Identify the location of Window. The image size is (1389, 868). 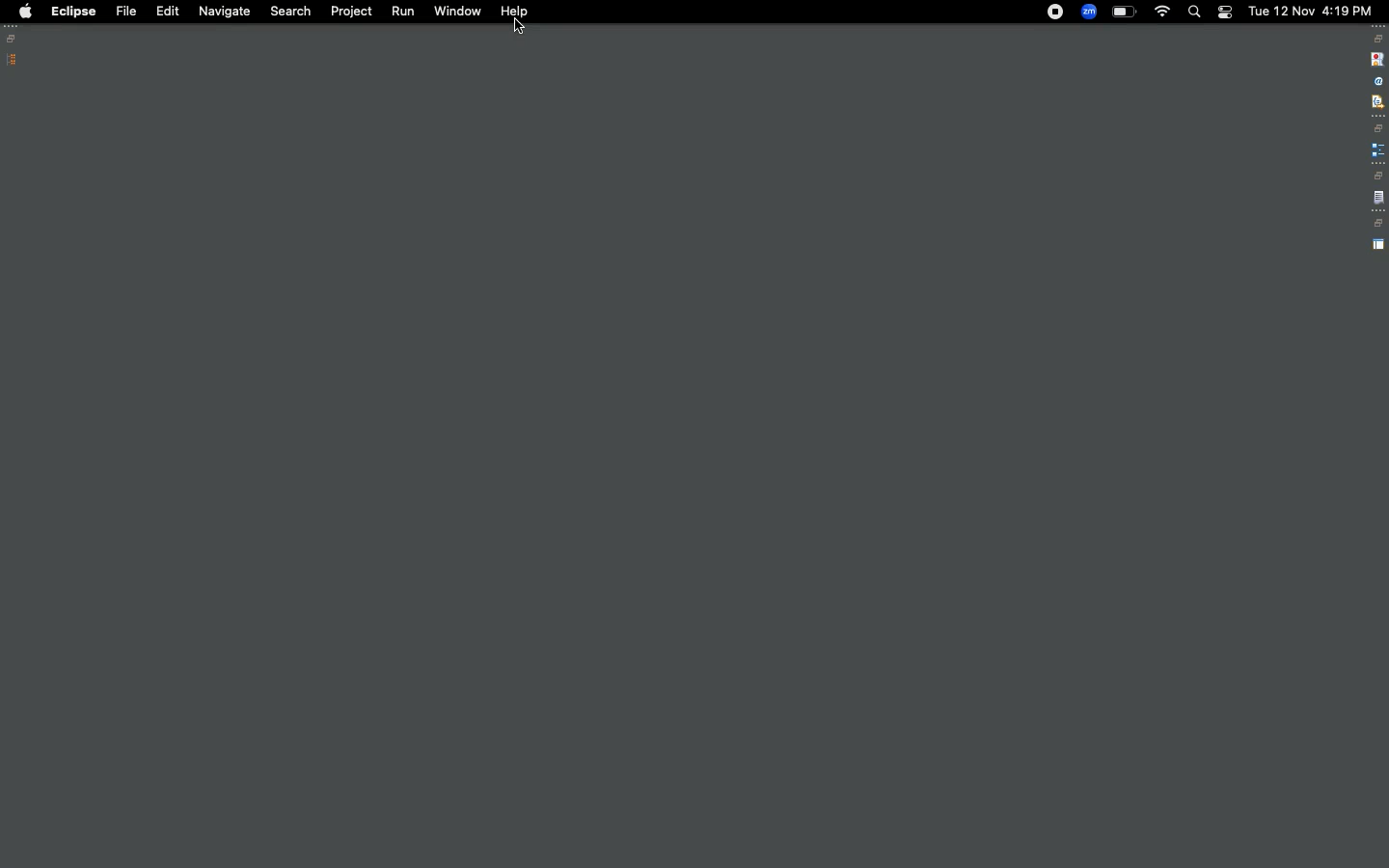
(457, 11).